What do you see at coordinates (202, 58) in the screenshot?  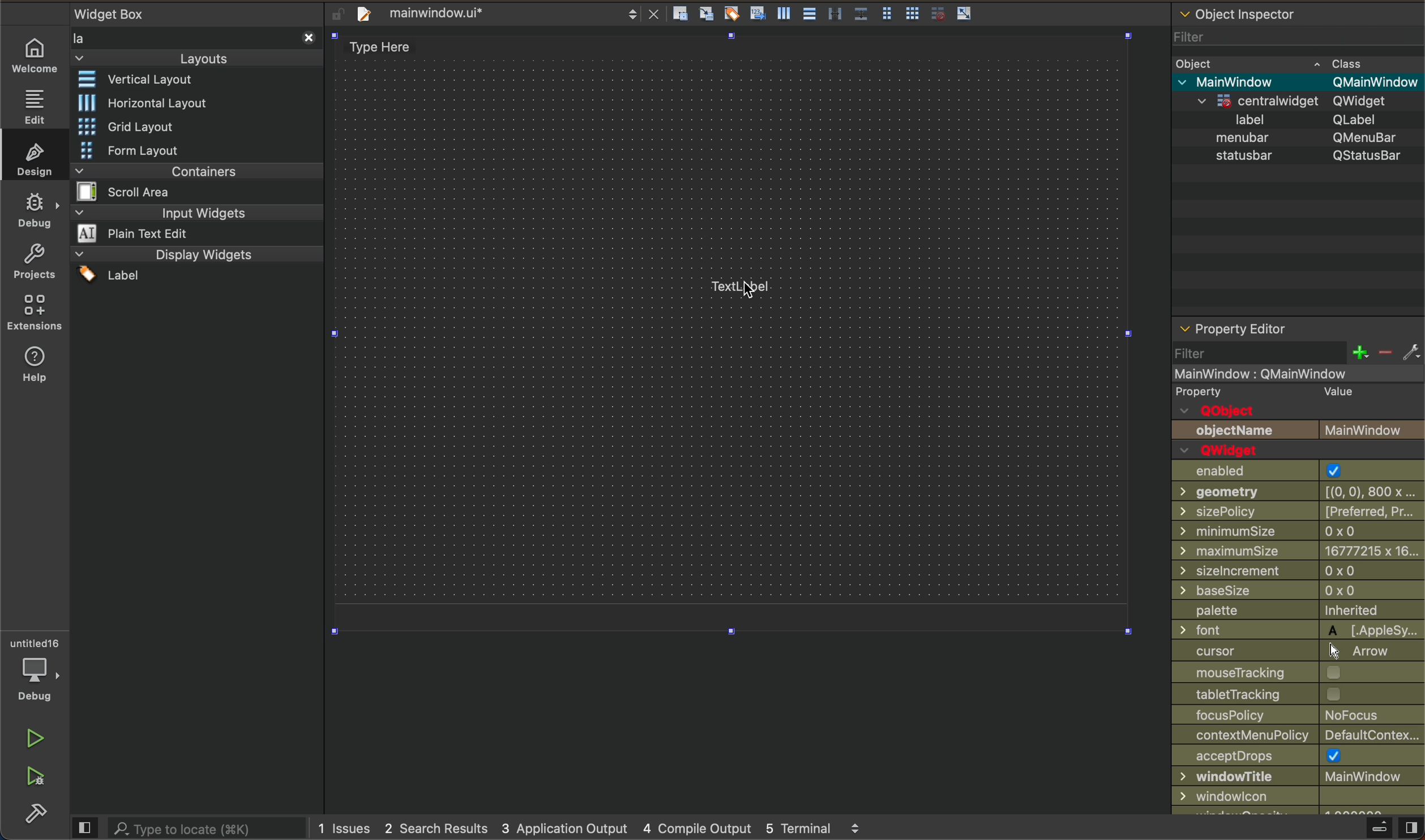 I see `layouts` at bounding box center [202, 58].